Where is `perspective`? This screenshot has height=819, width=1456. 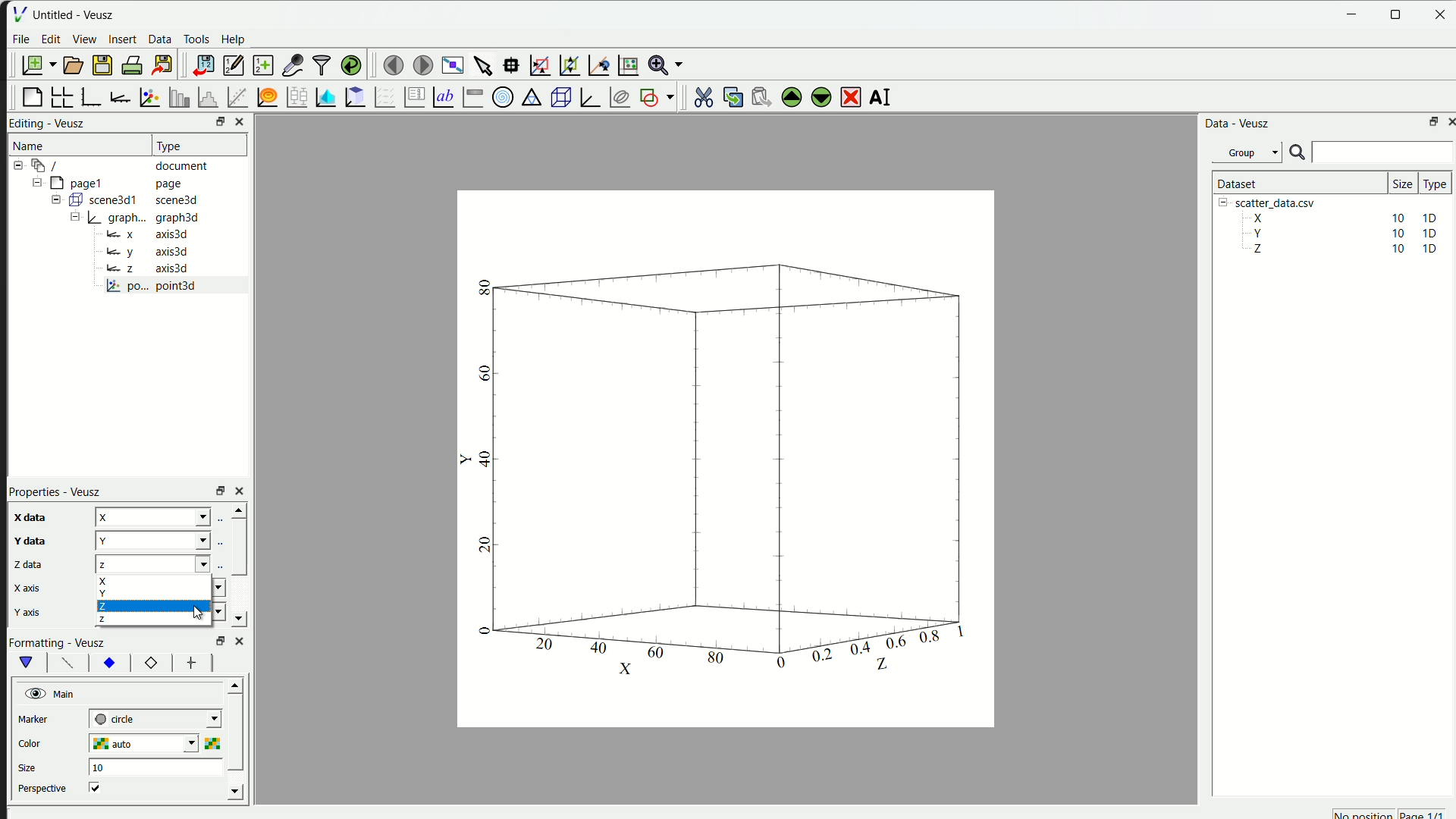
perspective is located at coordinates (42, 789).